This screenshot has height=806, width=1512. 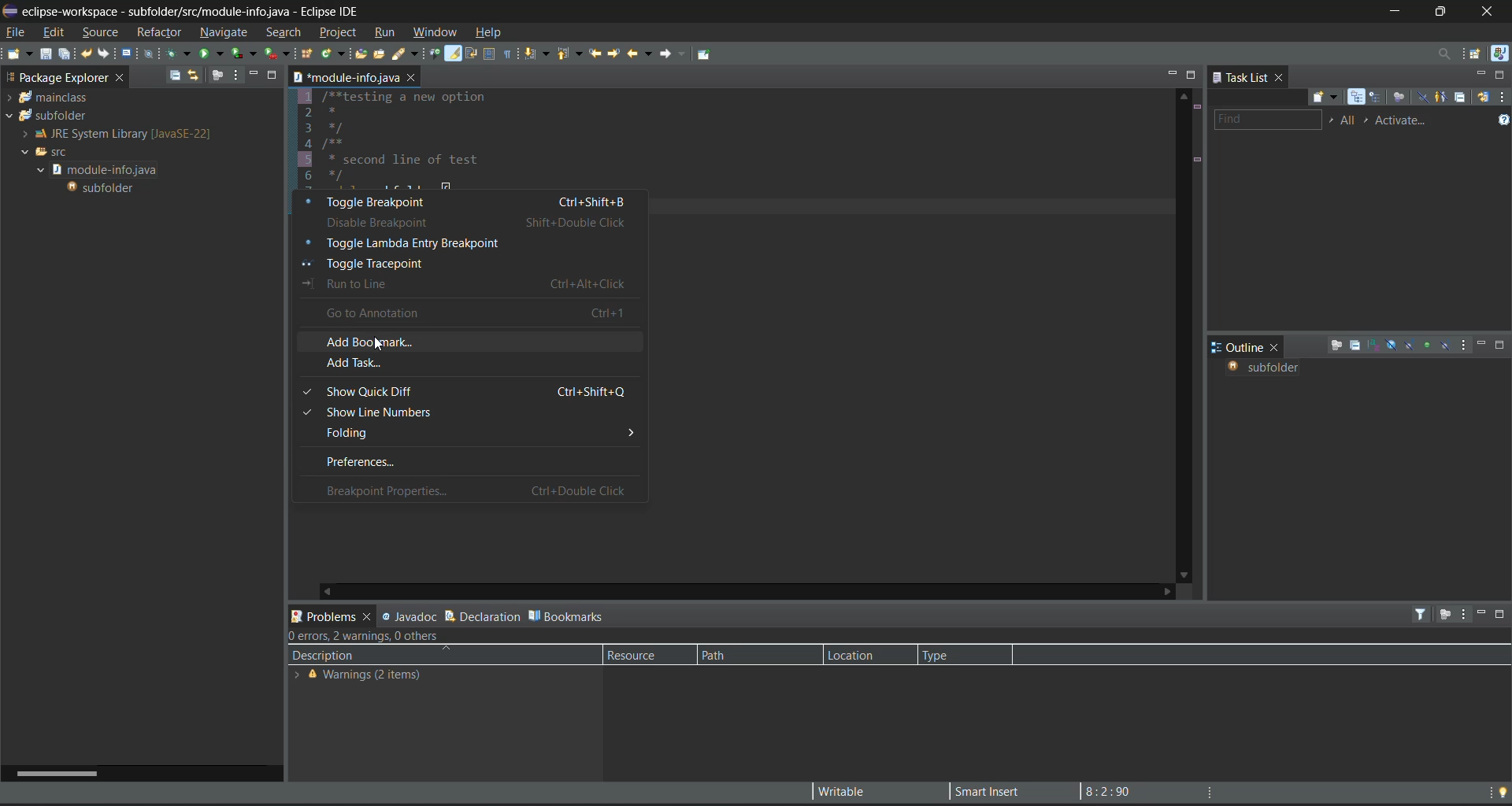 I want to click on writable, so click(x=847, y=792).